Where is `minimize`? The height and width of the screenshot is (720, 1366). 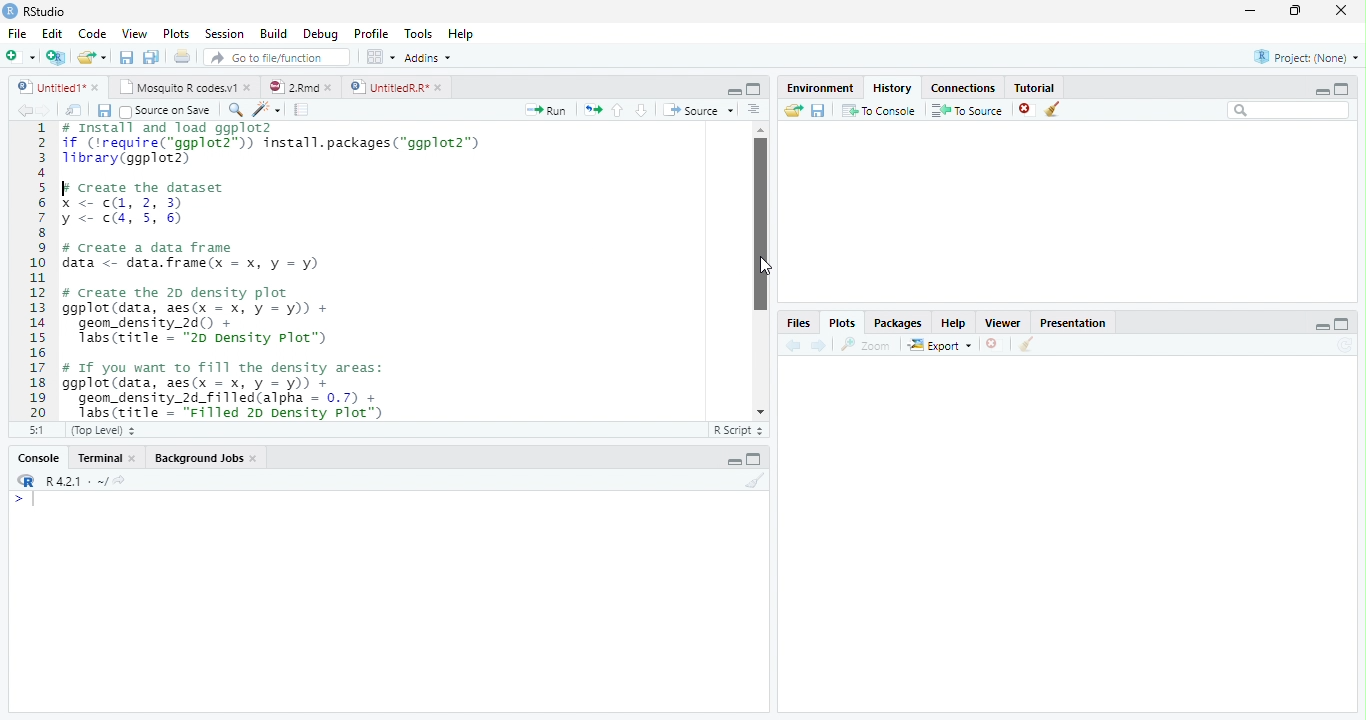 minimize is located at coordinates (735, 92).